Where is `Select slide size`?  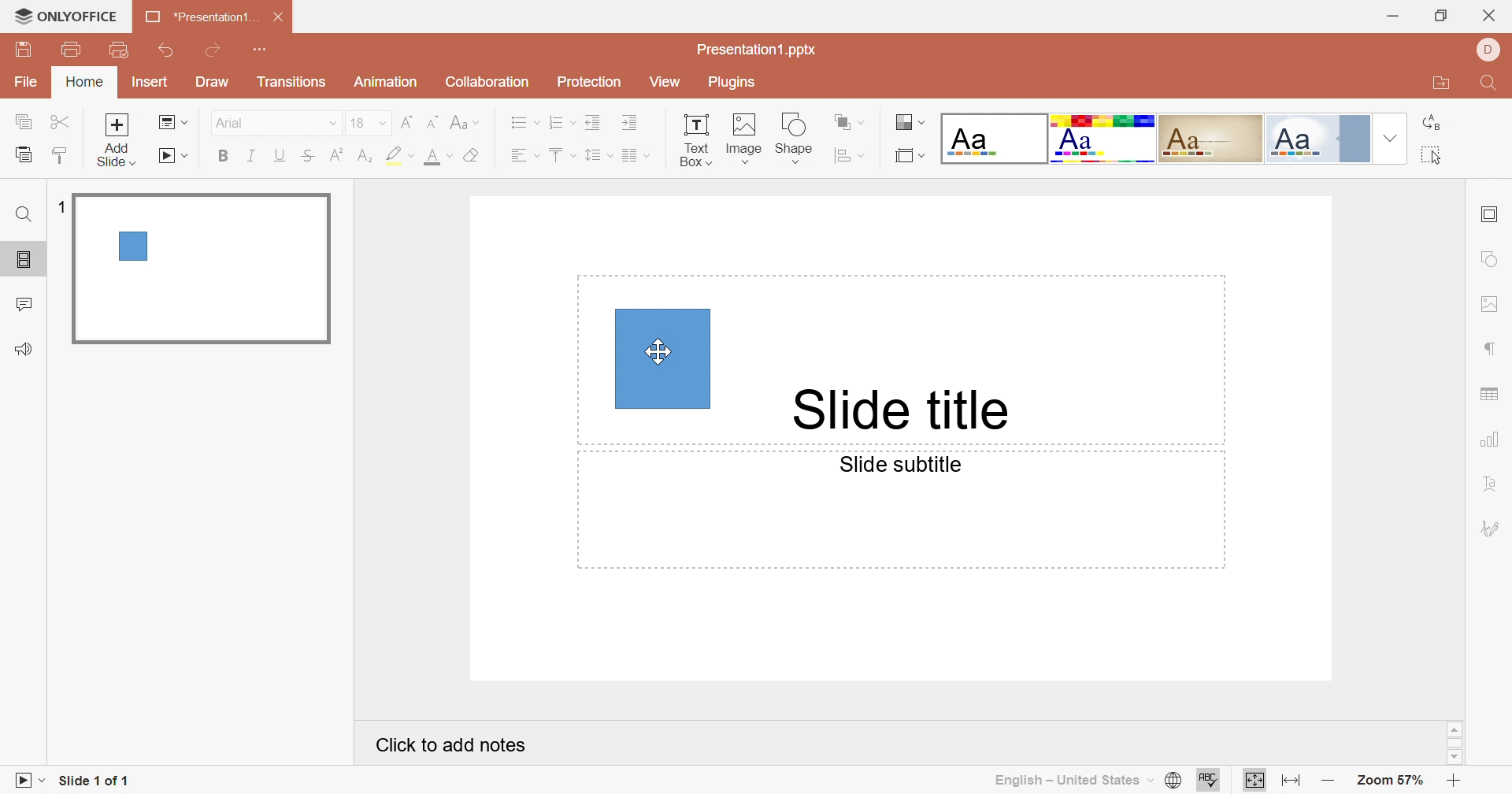 Select slide size is located at coordinates (909, 158).